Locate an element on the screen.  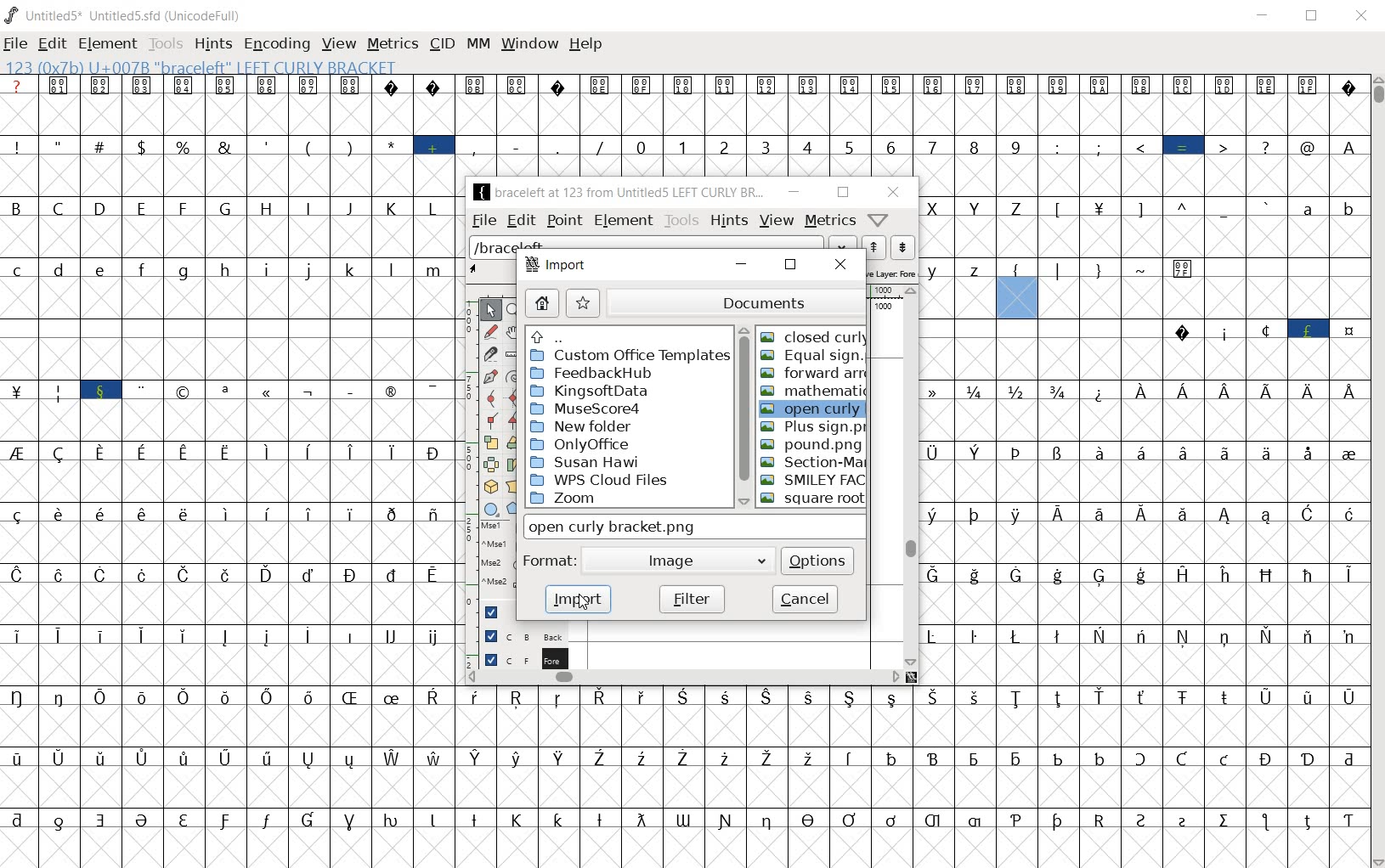
Pound.png is located at coordinates (815, 444).